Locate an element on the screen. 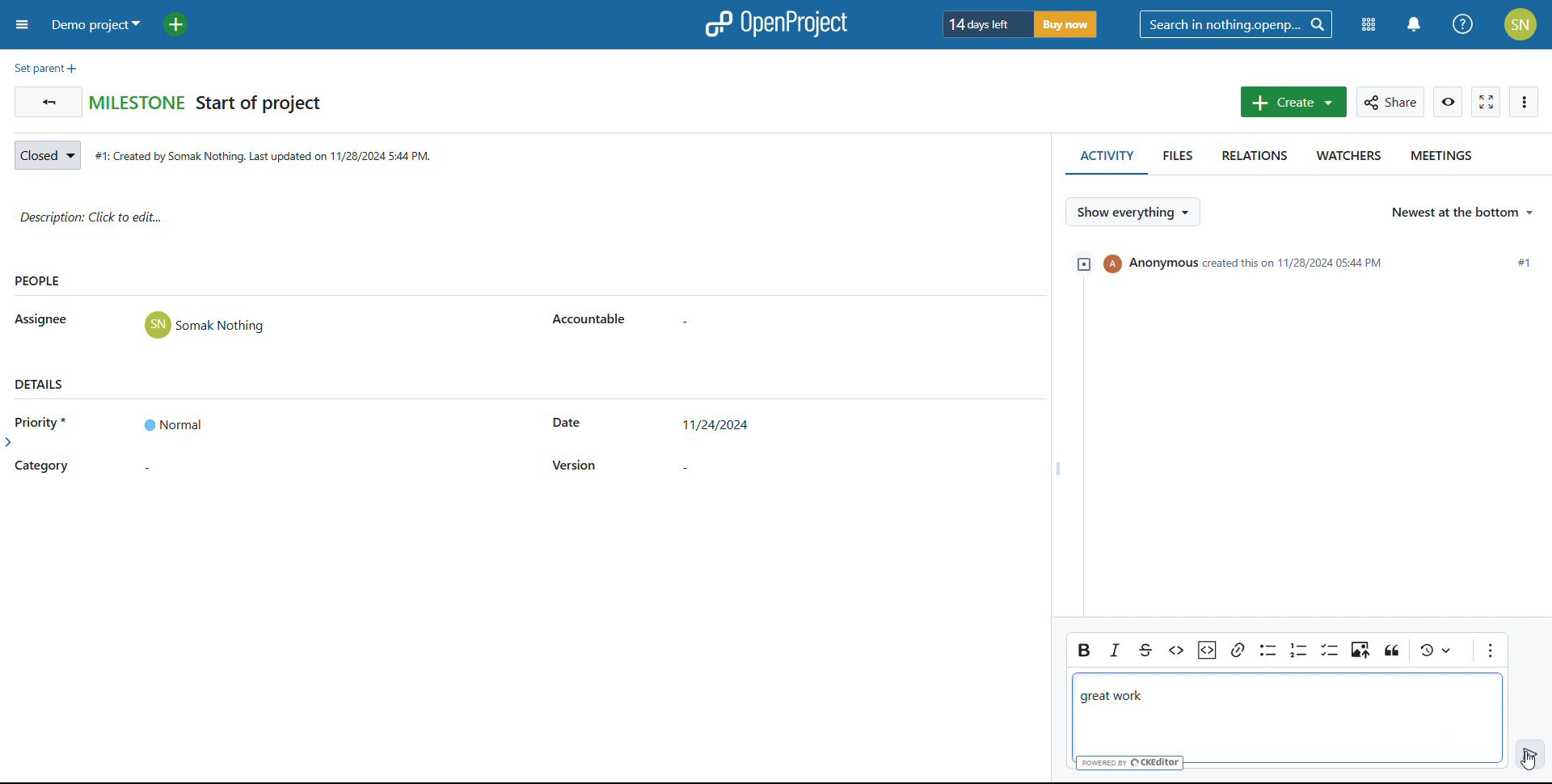 This screenshot has height=784, width=1552. set category is located at coordinates (172, 469).